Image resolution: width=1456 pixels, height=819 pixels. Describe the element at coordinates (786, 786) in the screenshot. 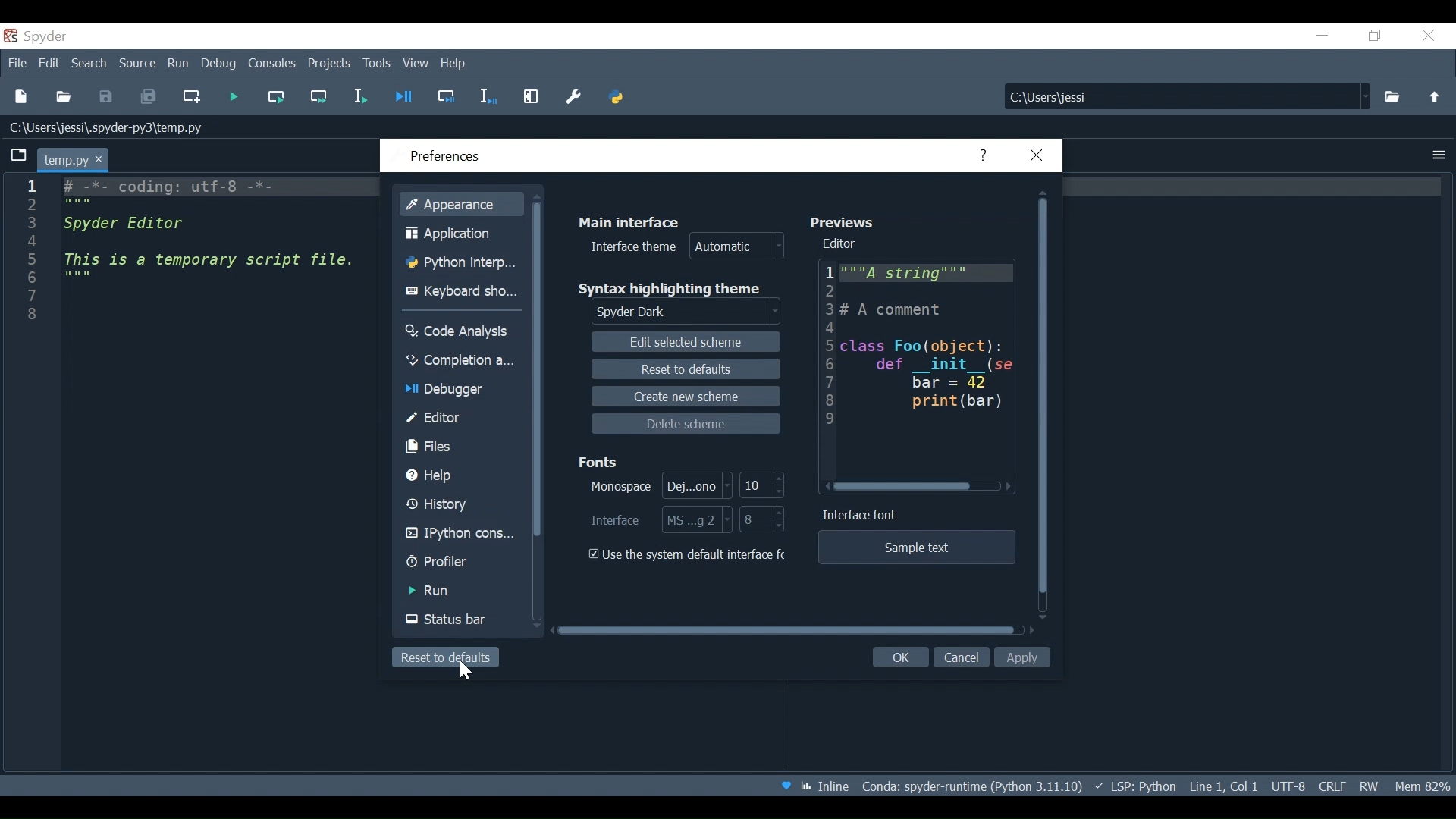

I see `Help Spyder` at that location.